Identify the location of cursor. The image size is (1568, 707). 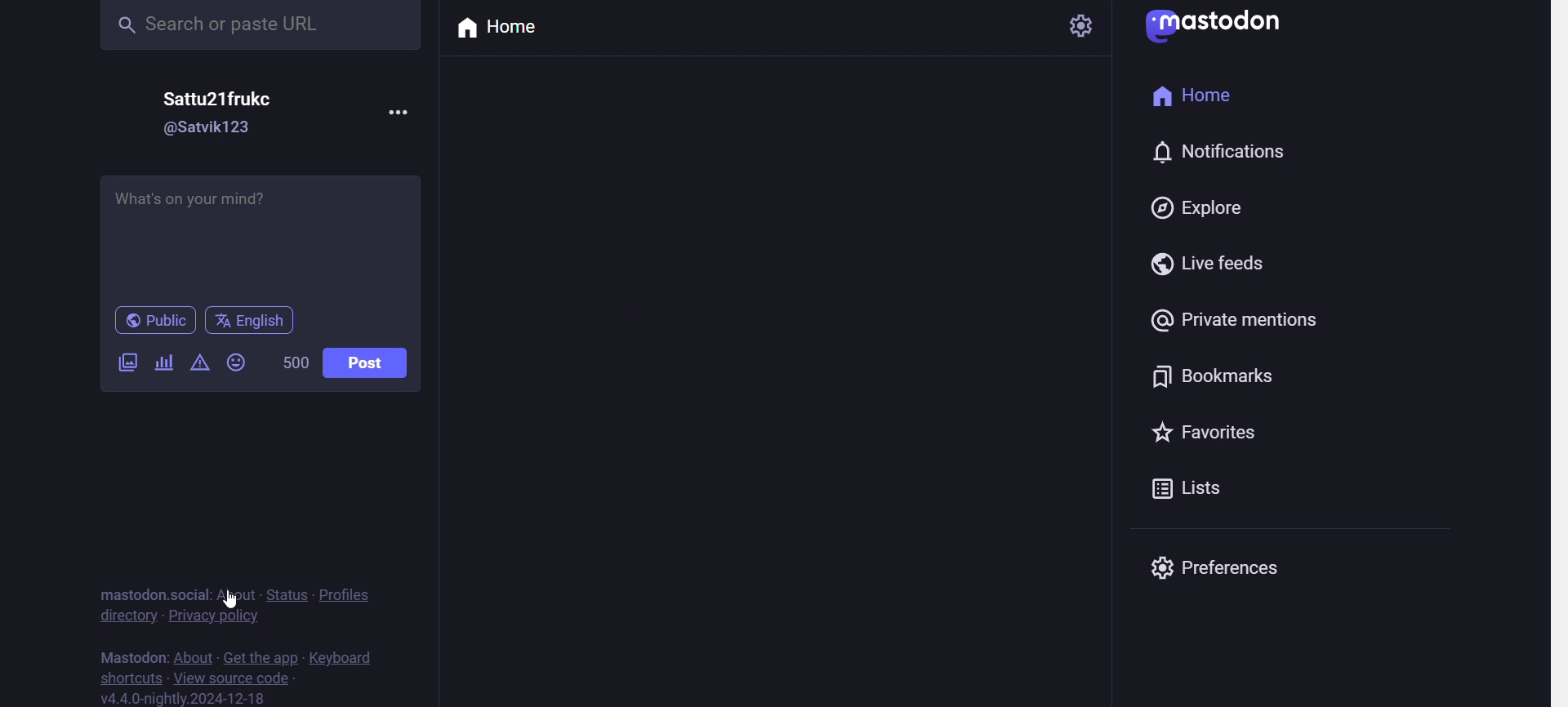
(234, 599).